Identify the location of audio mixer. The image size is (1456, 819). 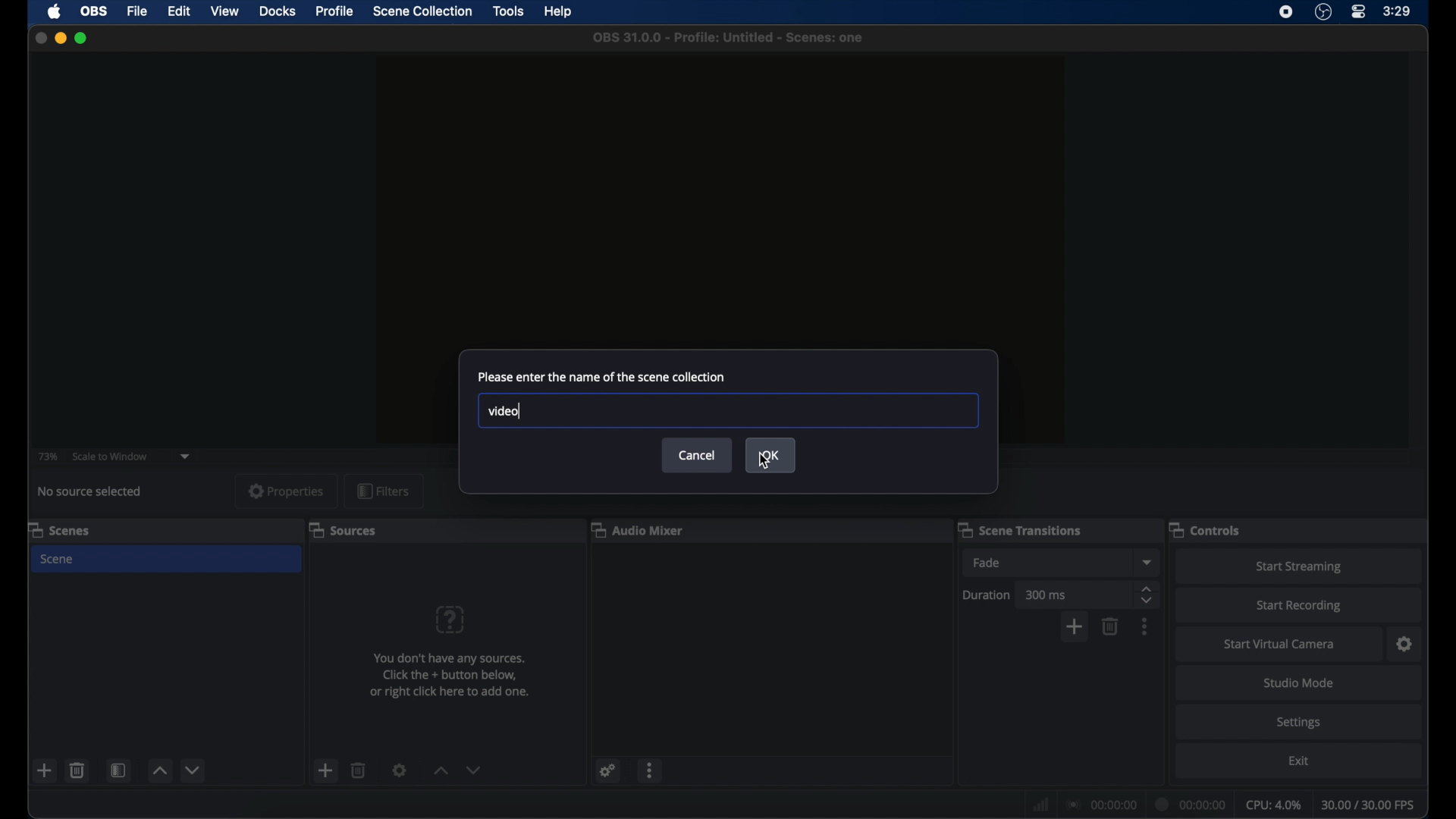
(638, 529).